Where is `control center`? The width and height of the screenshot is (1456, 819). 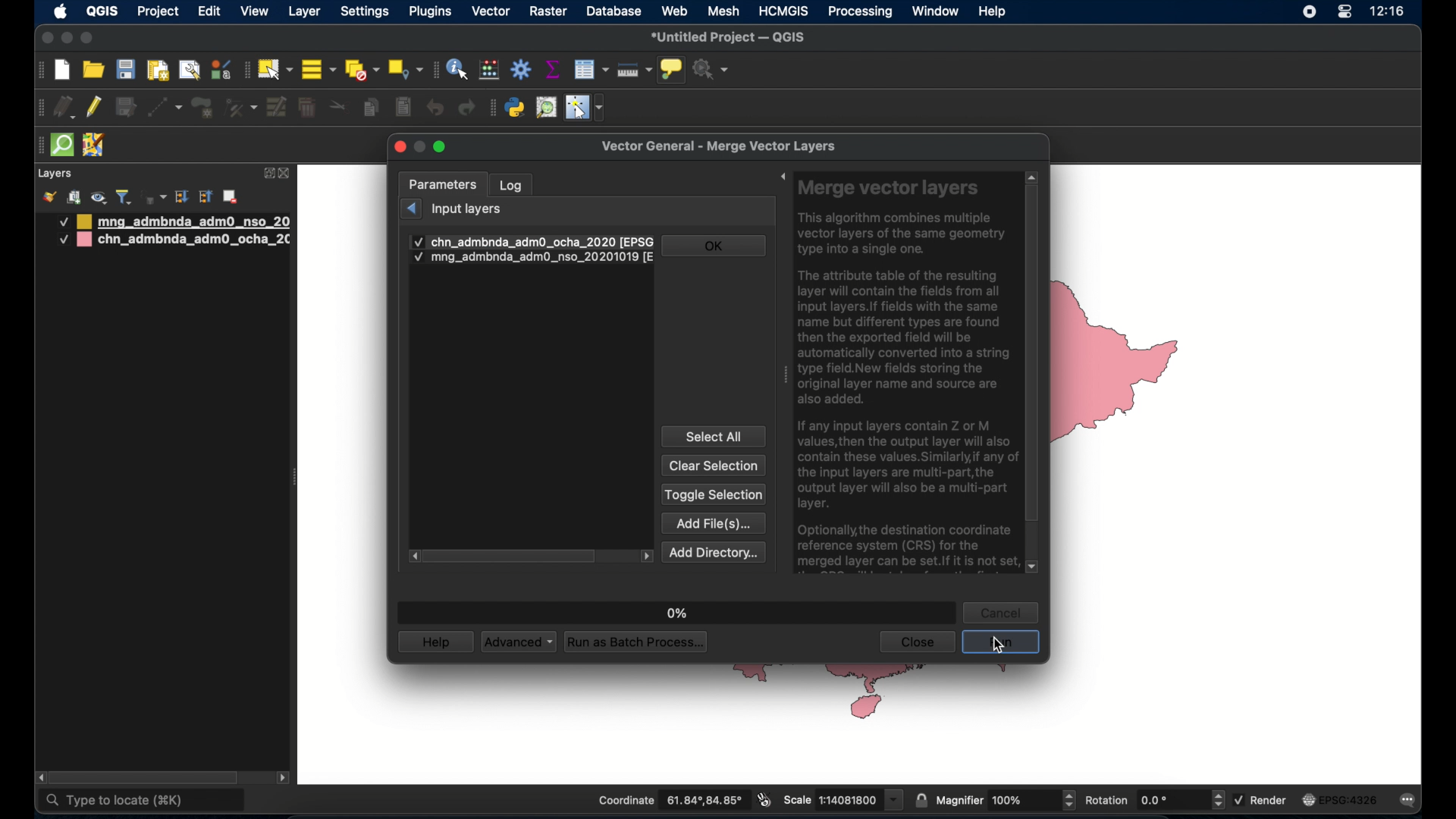 control center is located at coordinates (1344, 13).